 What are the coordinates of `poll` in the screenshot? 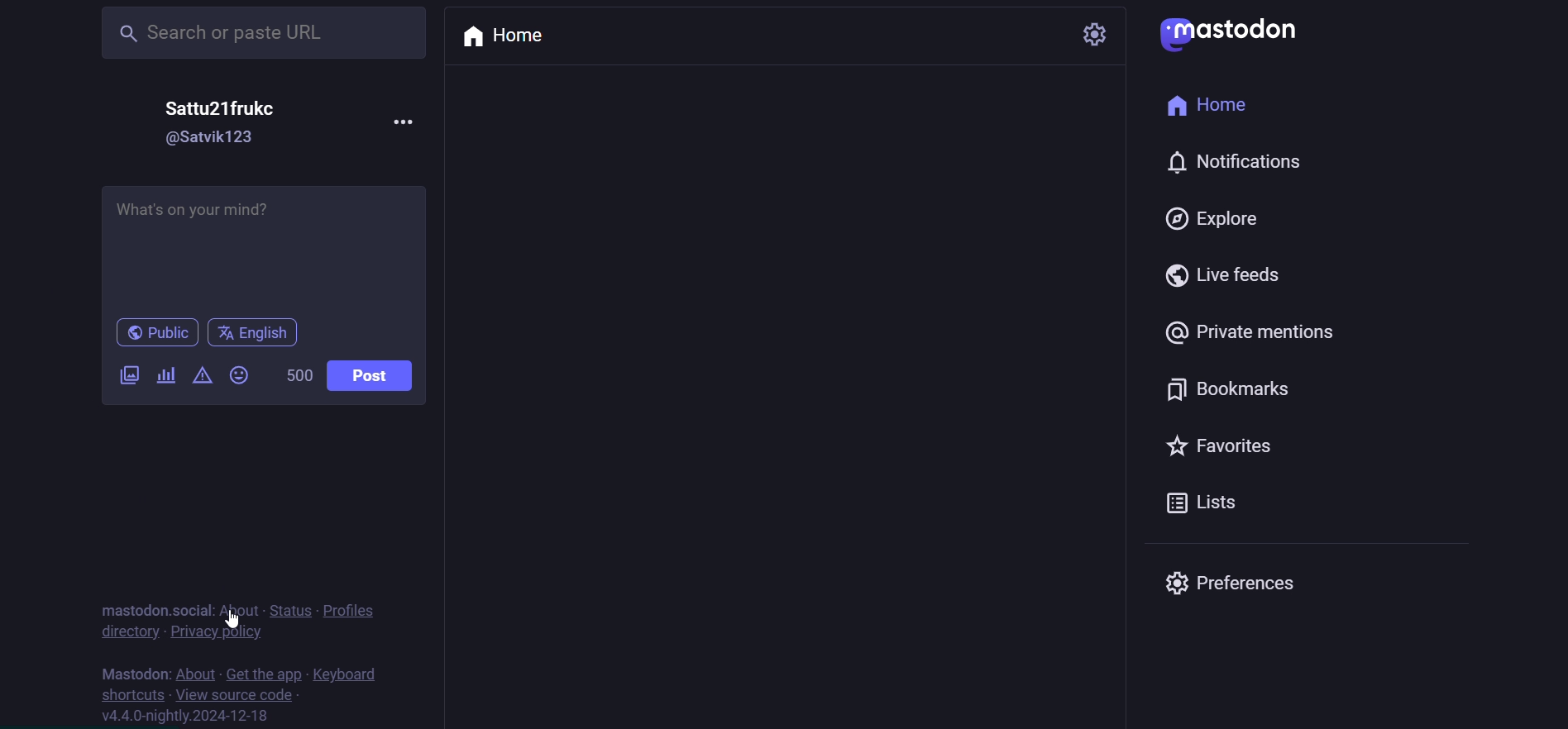 It's located at (165, 378).